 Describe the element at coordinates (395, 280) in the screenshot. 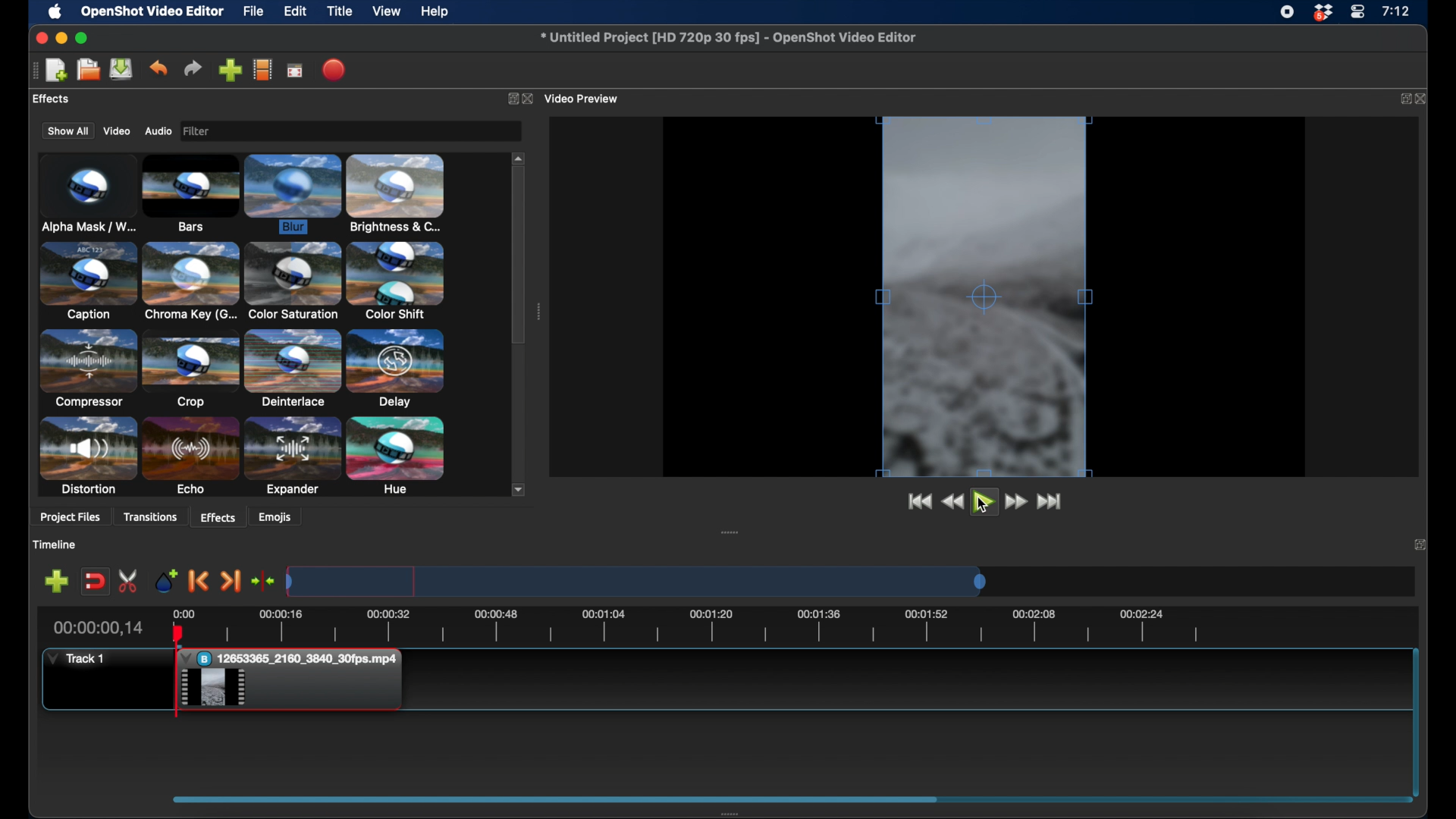

I see `color shift` at that location.